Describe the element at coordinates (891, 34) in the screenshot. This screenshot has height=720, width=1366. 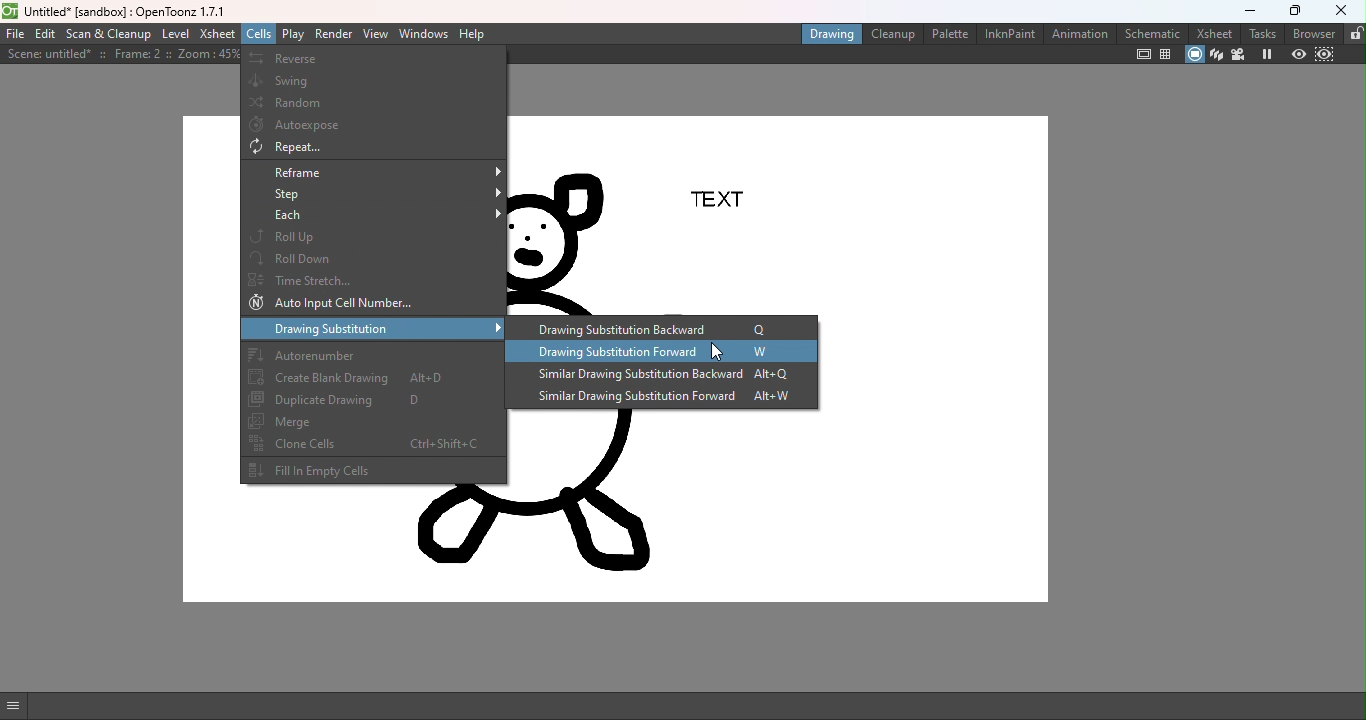
I see `Cleanup` at that location.